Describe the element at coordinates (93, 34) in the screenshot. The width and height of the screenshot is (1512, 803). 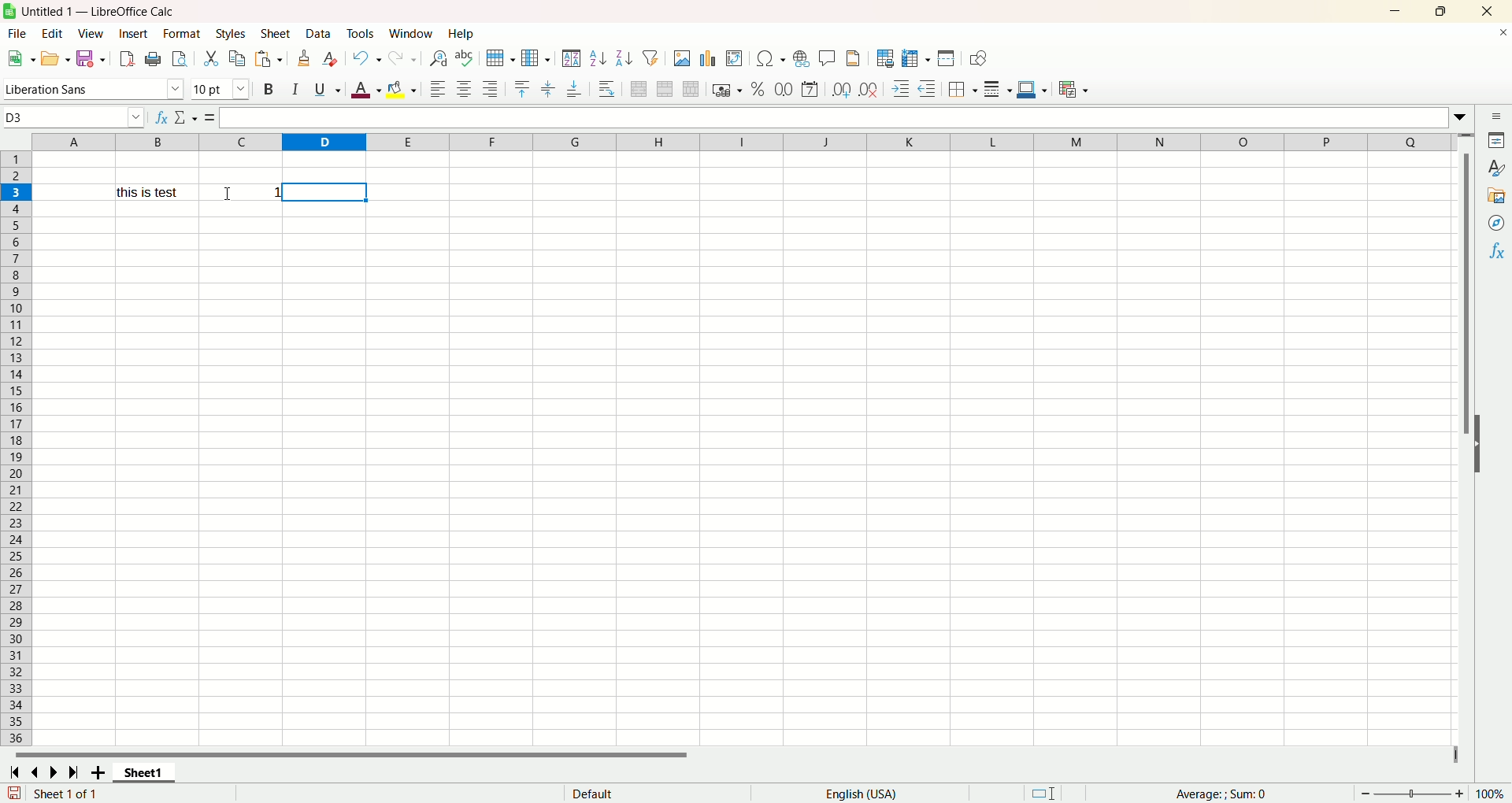
I see `view` at that location.